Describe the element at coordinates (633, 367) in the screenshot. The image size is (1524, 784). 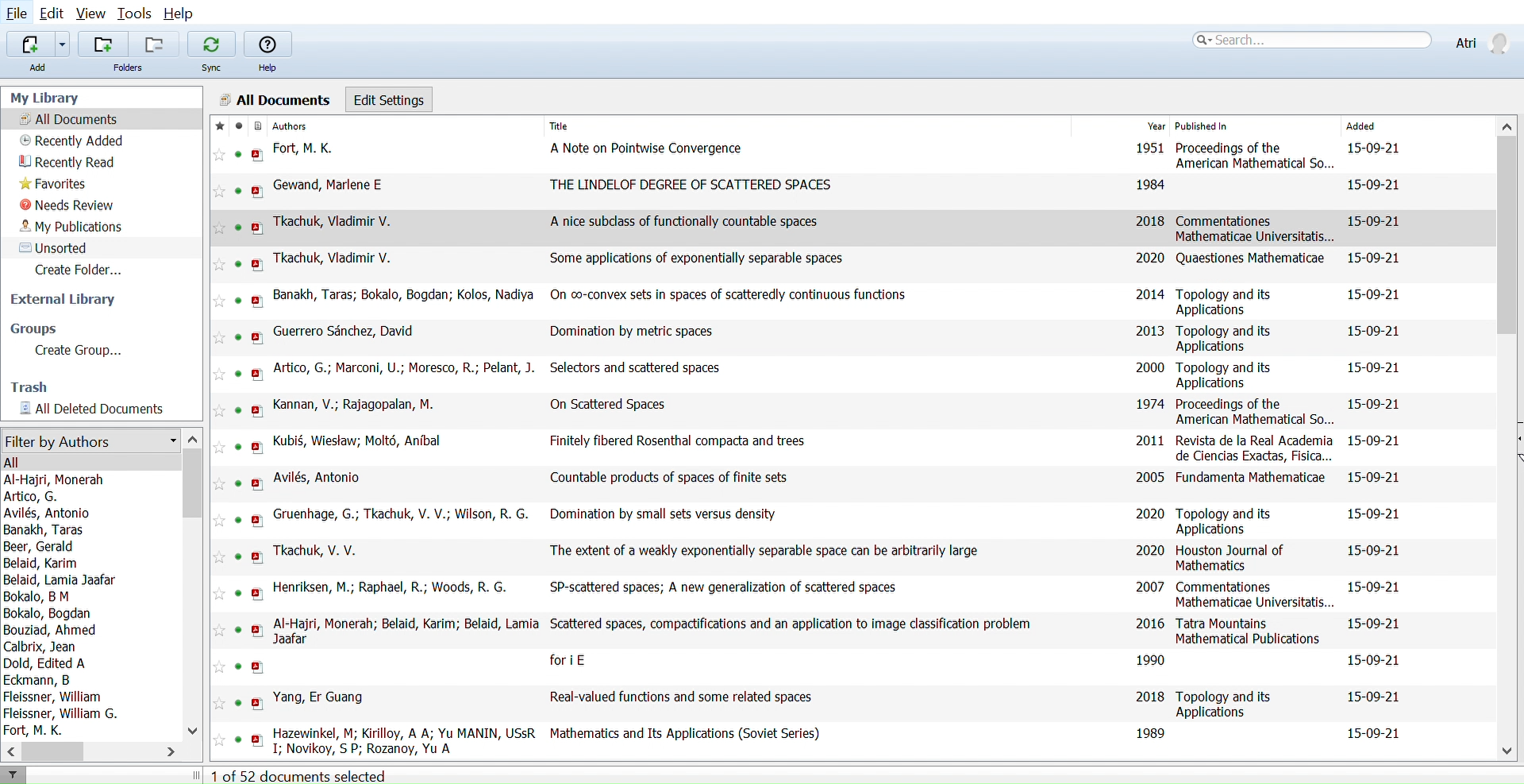
I see `Selectors and scattered spaces` at that location.